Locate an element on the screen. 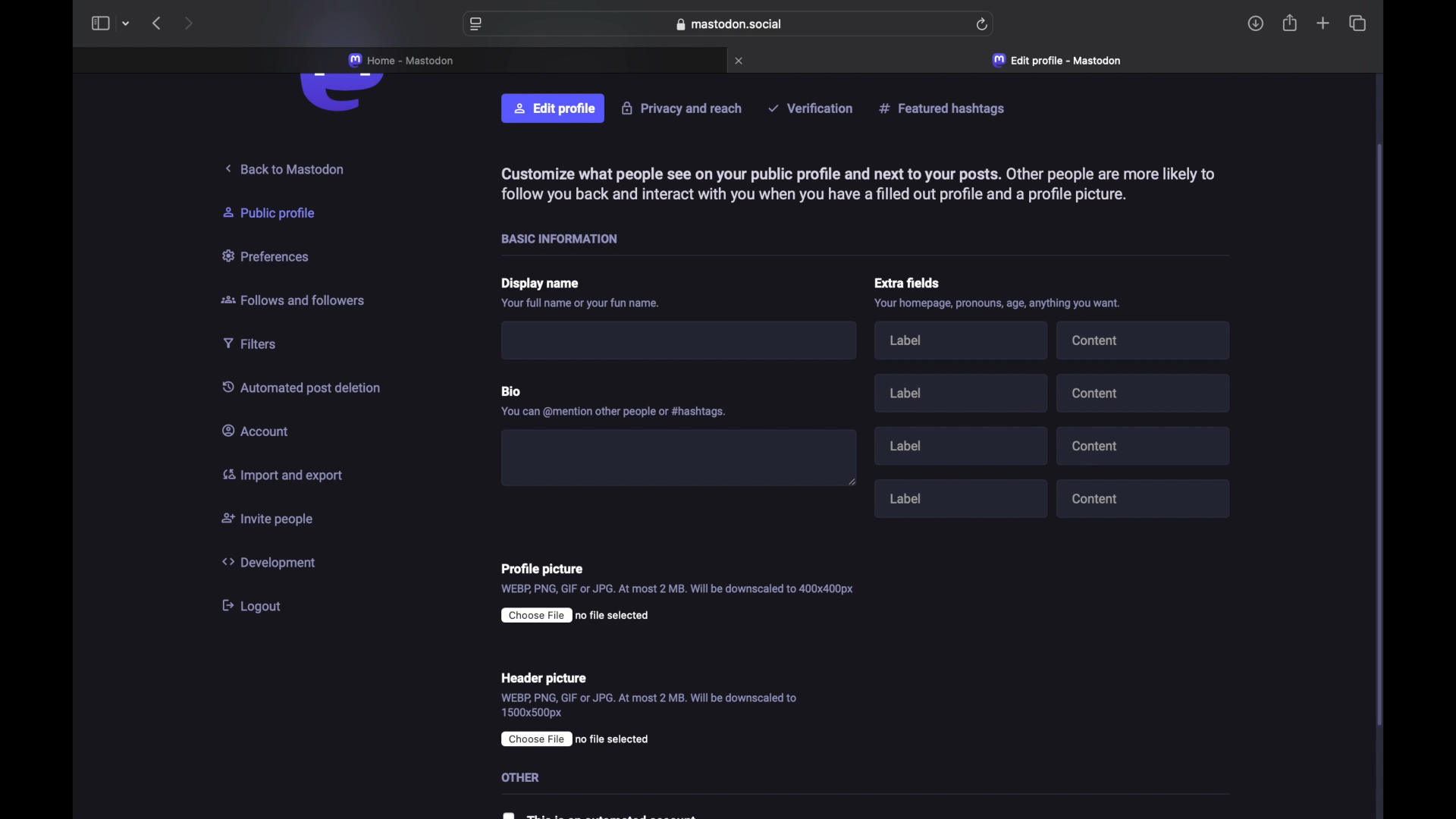 The height and width of the screenshot is (819, 1456). follows and followers is located at coordinates (297, 297).